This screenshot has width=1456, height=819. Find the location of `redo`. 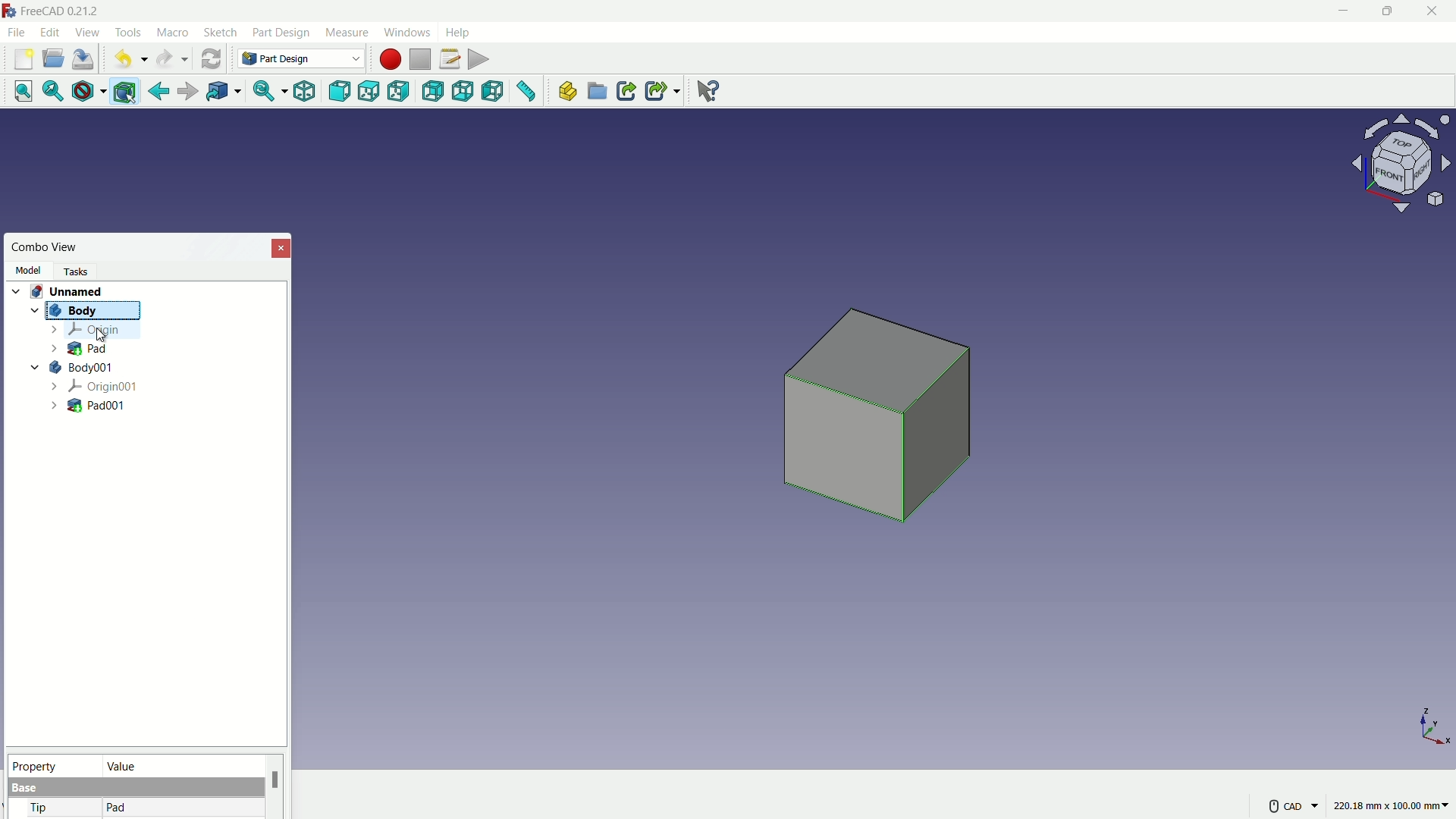

redo is located at coordinates (172, 59).